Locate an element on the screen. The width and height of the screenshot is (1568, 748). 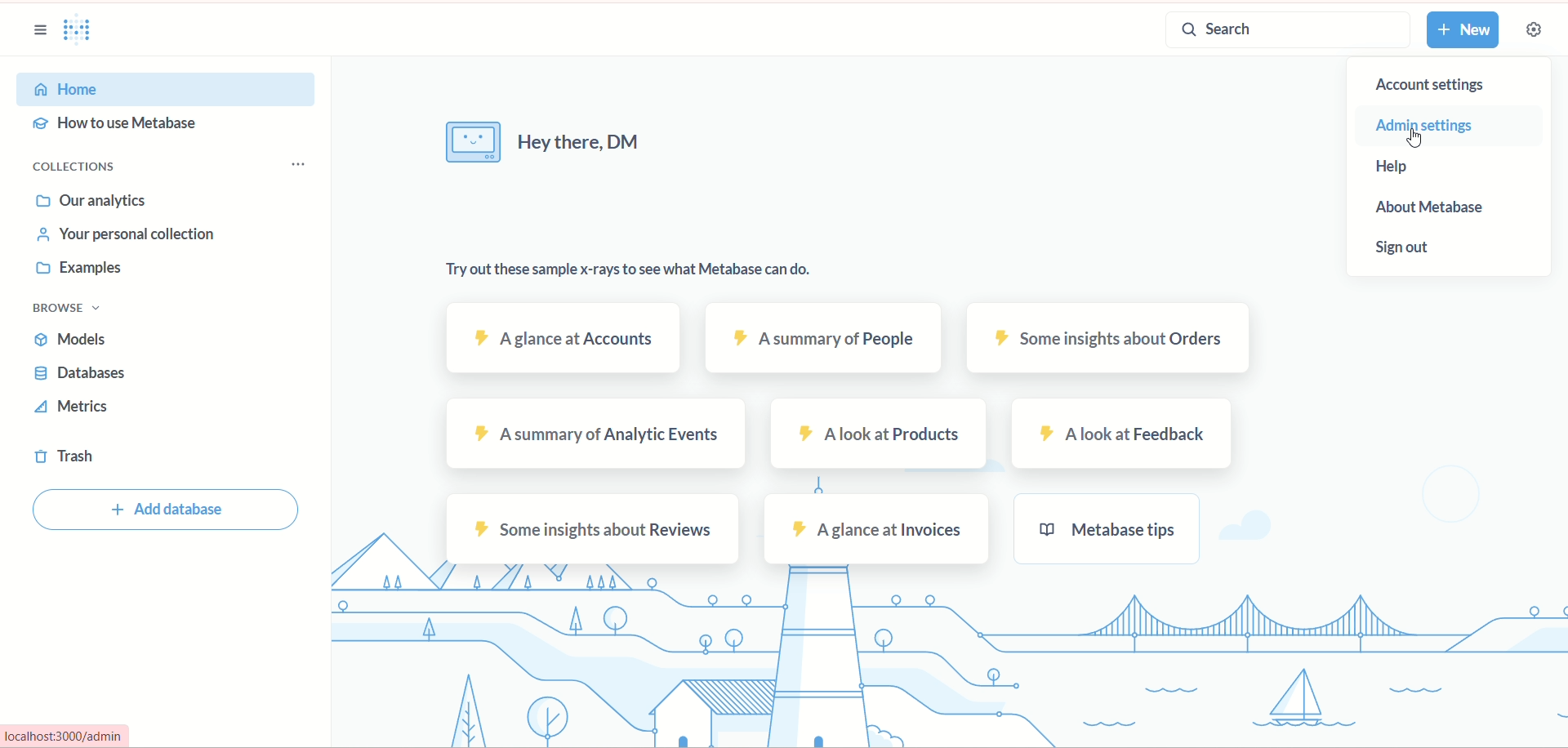
people is located at coordinates (826, 338).